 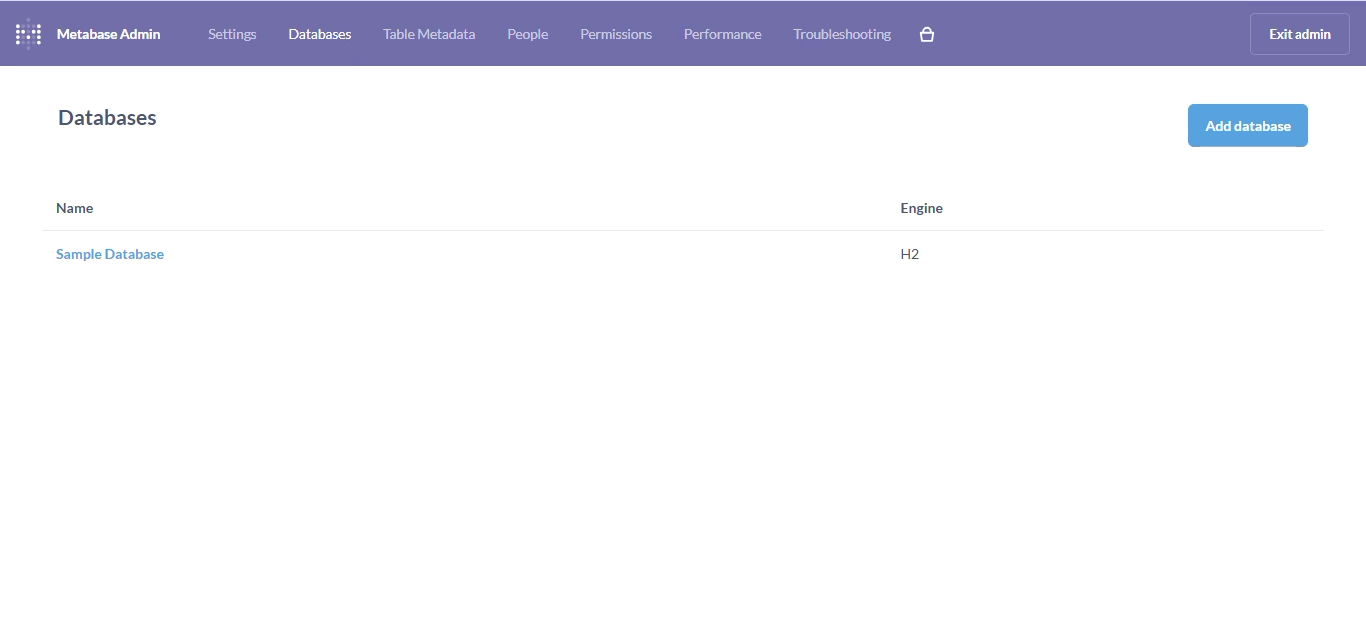 What do you see at coordinates (110, 255) in the screenshot?
I see `sample database` at bounding box center [110, 255].